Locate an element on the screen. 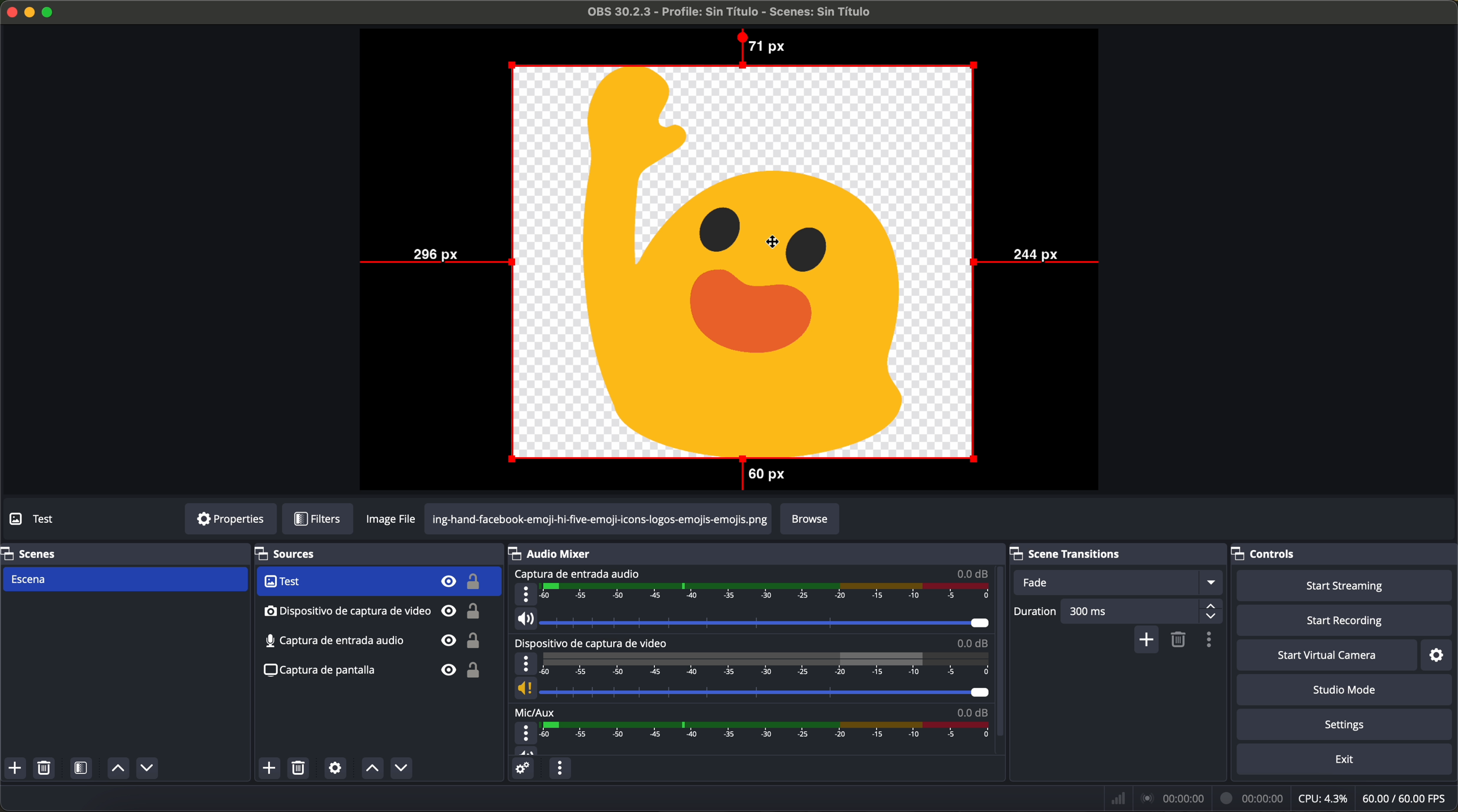 The width and height of the screenshot is (1458, 812). browse is located at coordinates (810, 519).